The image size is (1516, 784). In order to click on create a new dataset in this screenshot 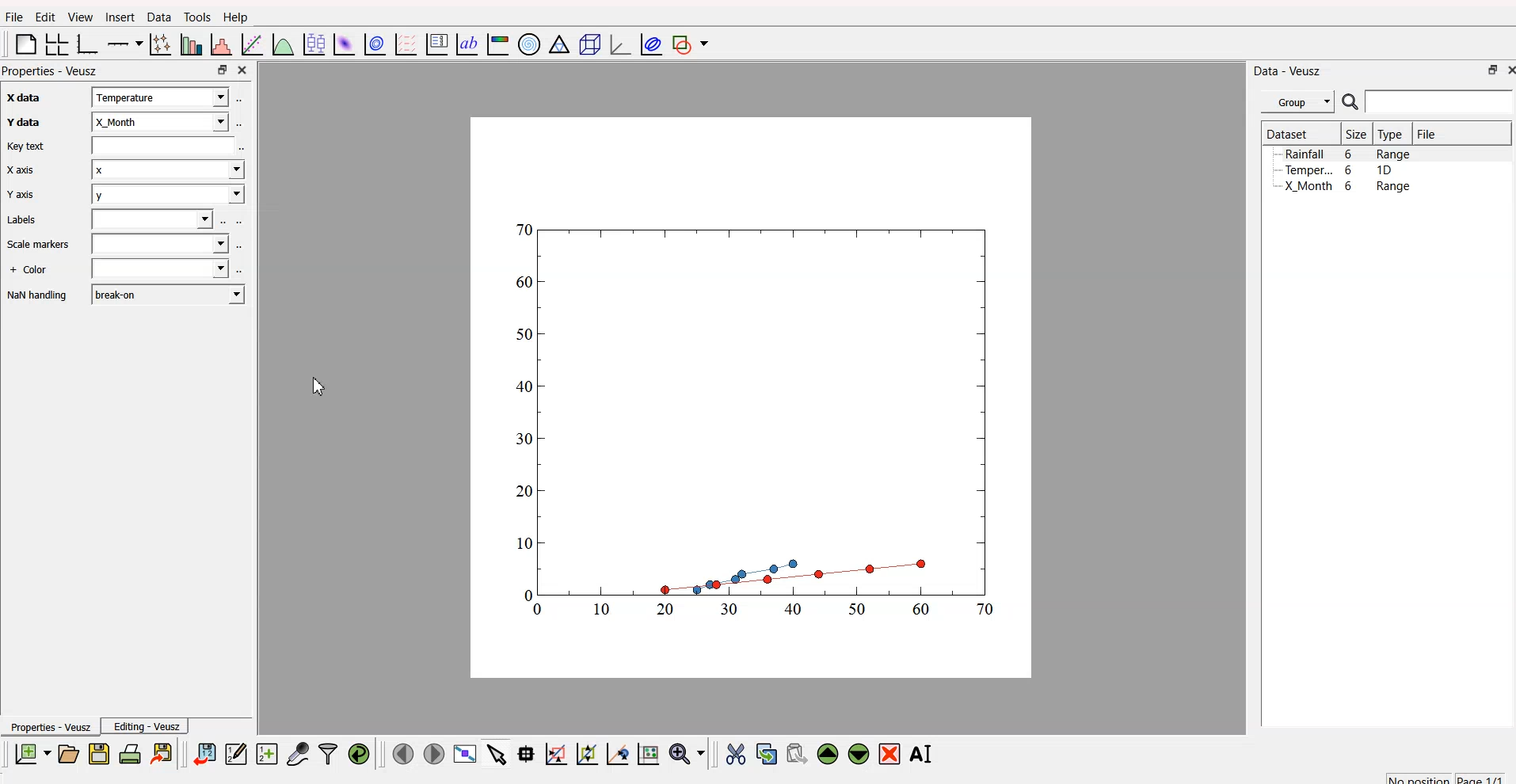, I will do `click(266, 753)`.